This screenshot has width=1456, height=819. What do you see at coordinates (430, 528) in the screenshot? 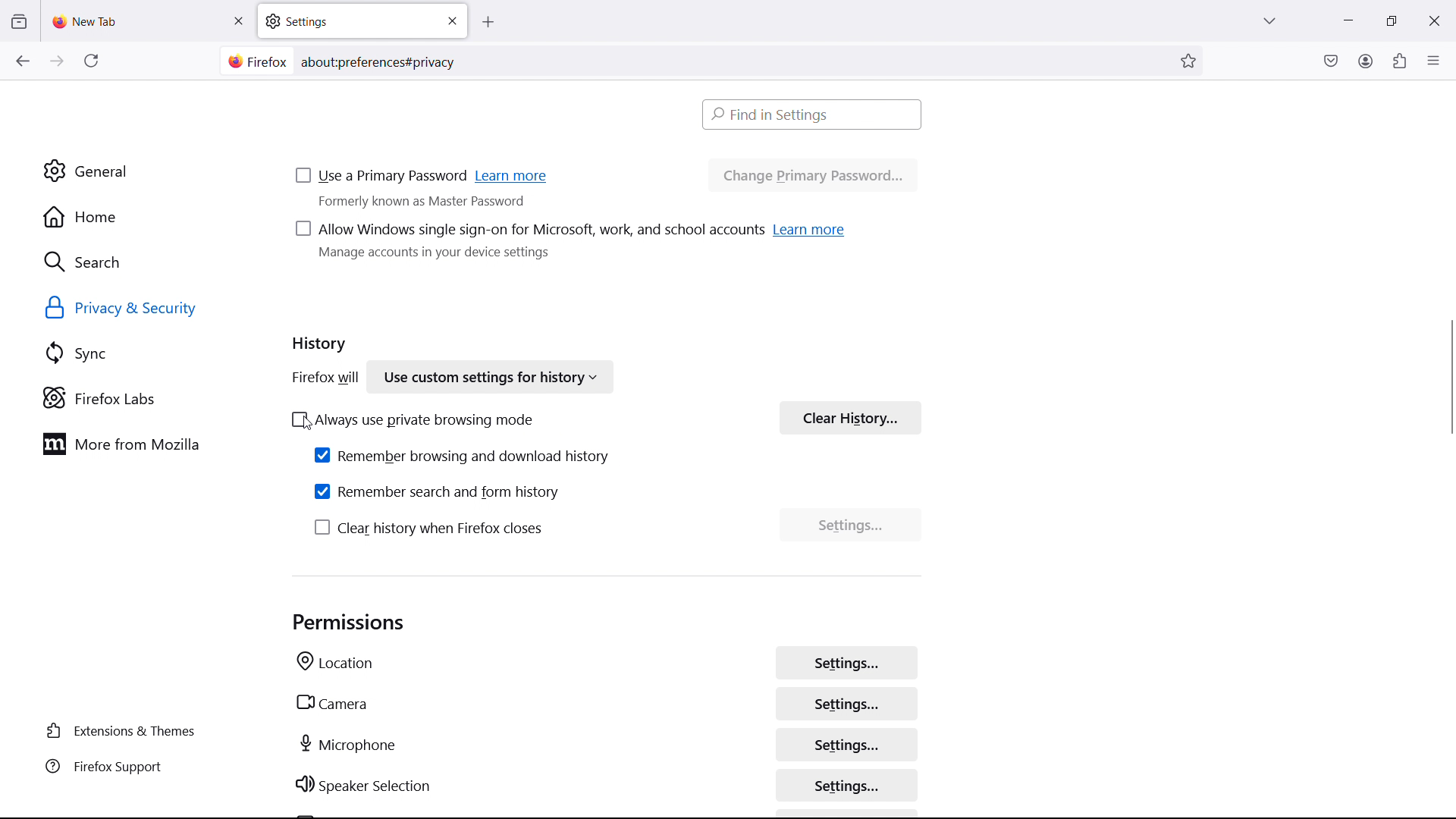
I see `clear history when firefox closes` at bounding box center [430, 528].